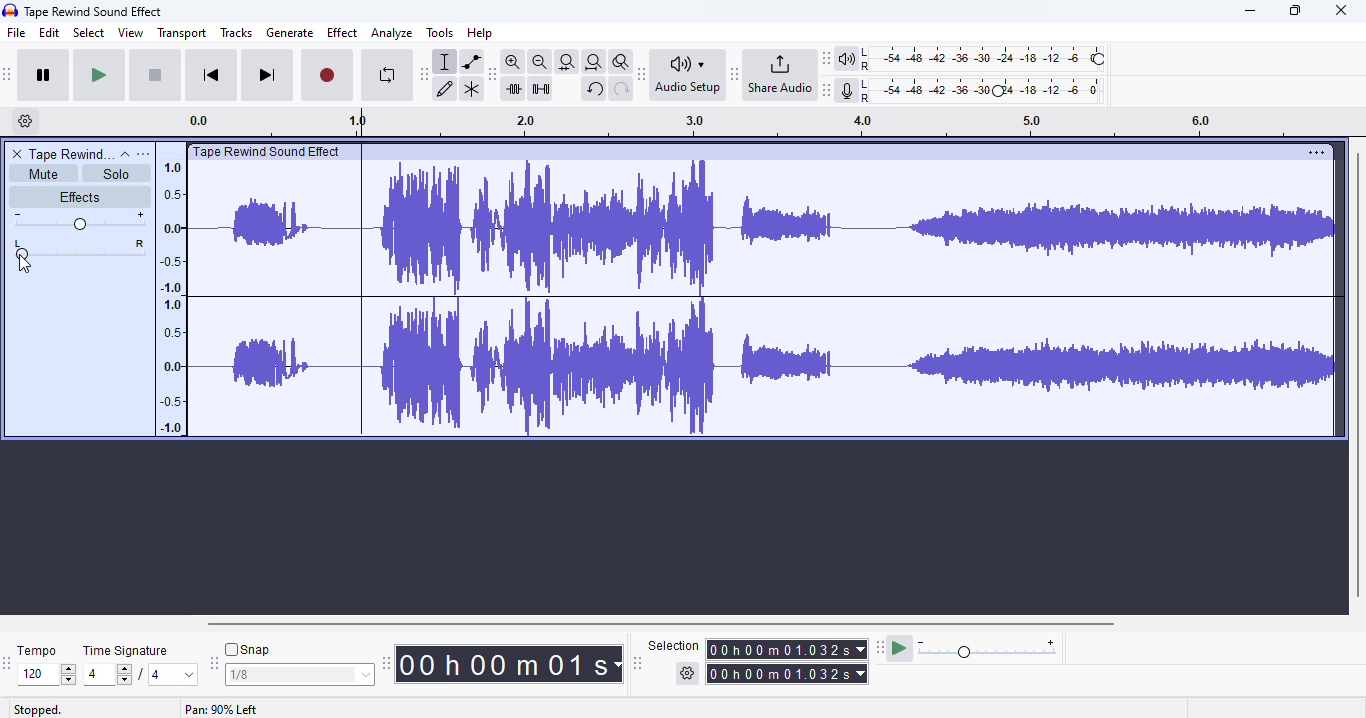 The height and width of the screenshot is (718, 1366). I want to click on audacity audio setup toolbar, so click(642, 74).